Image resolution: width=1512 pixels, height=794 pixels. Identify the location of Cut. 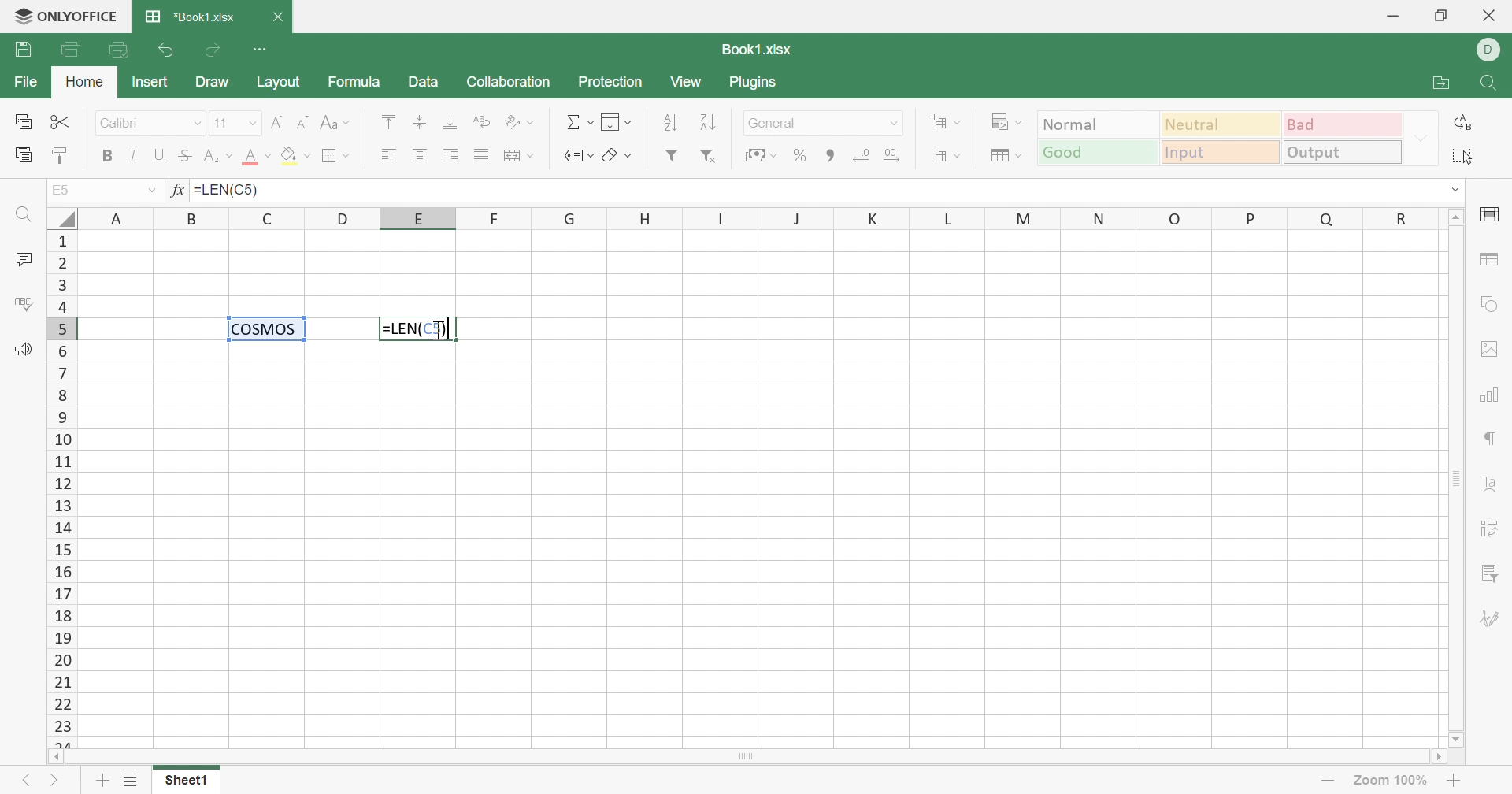
(62, 122).